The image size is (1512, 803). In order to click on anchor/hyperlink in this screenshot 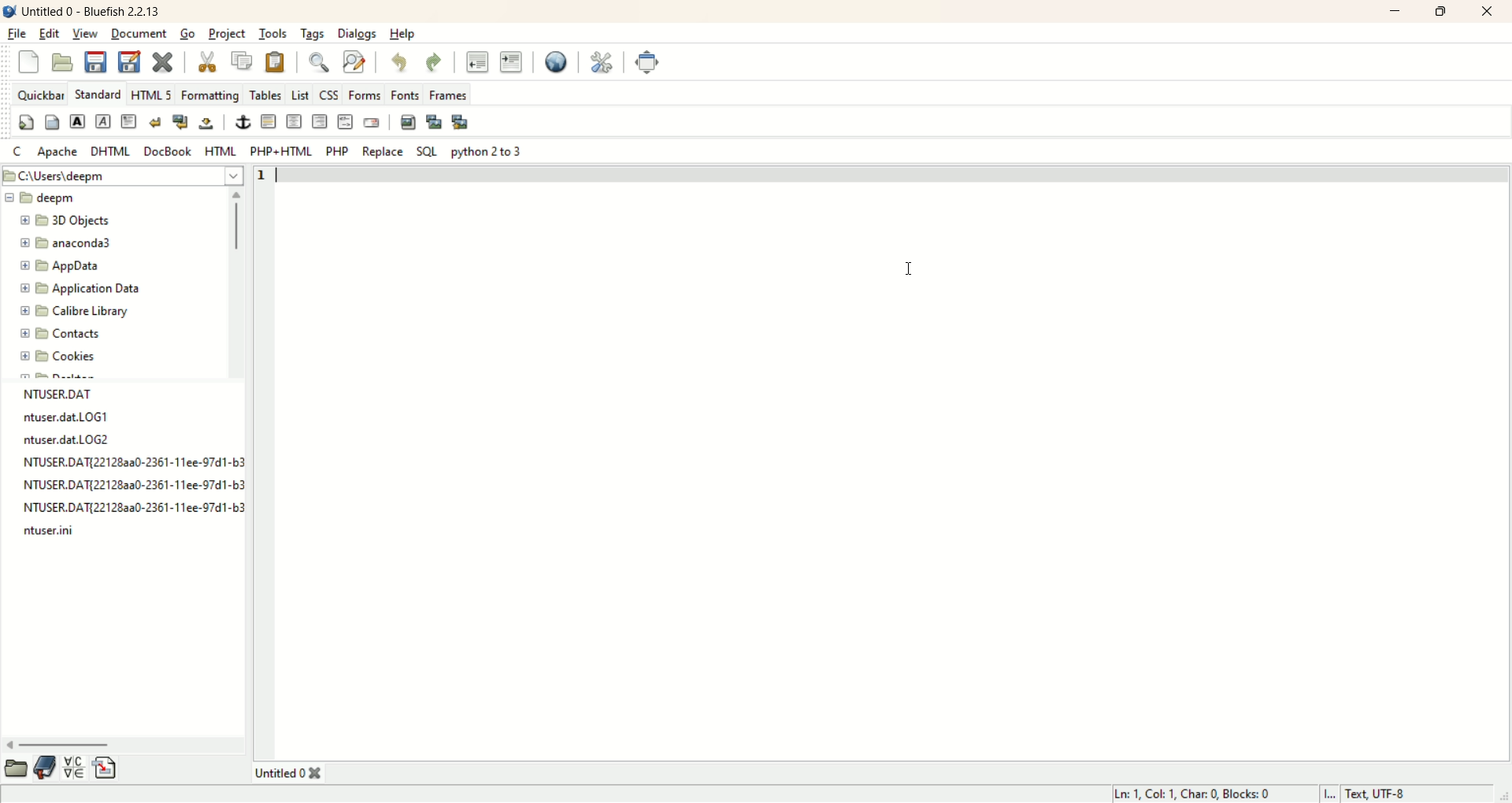, I will do `click(243, 120)`.